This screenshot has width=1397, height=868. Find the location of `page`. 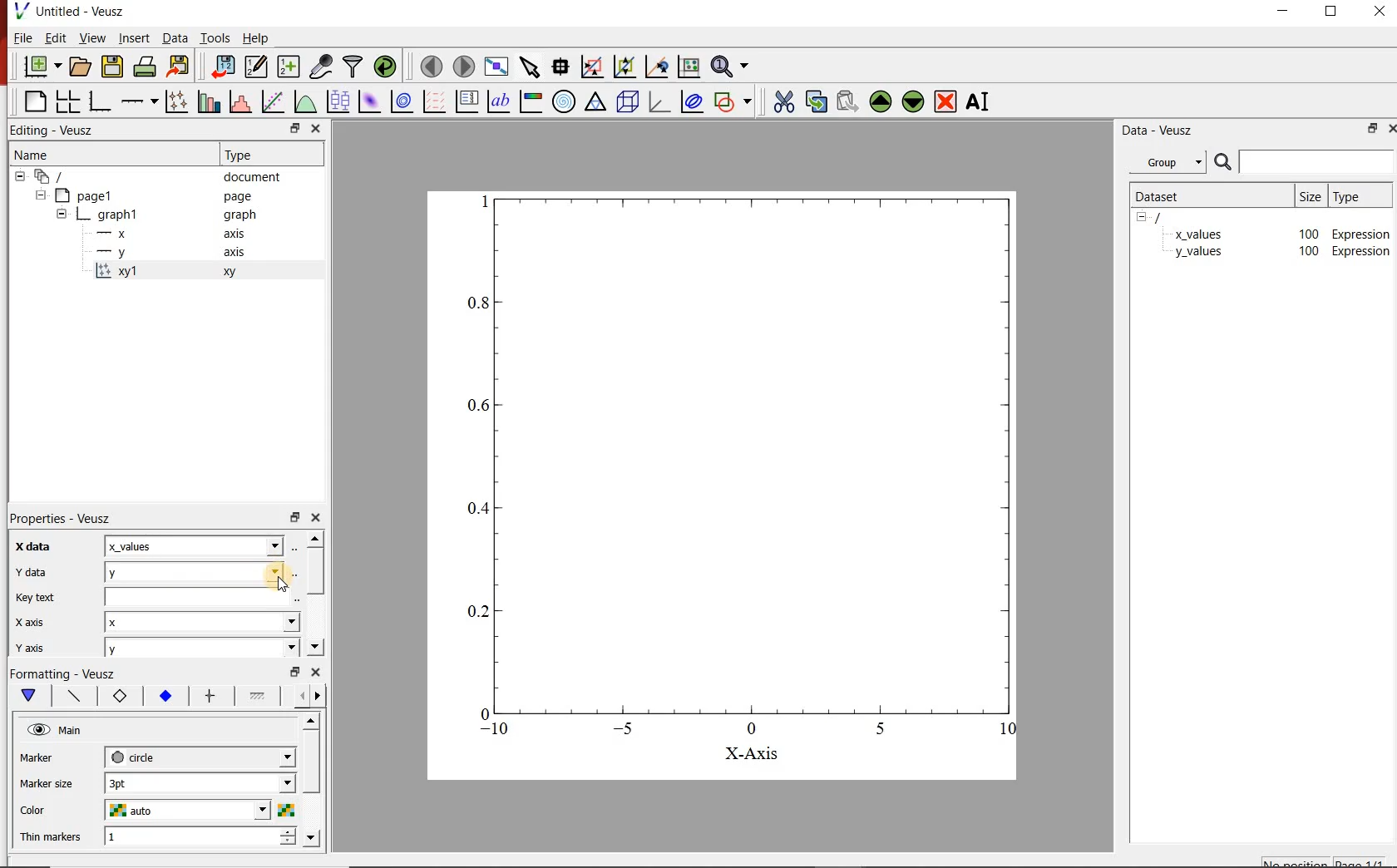

page is located at coordinates (236, 195).